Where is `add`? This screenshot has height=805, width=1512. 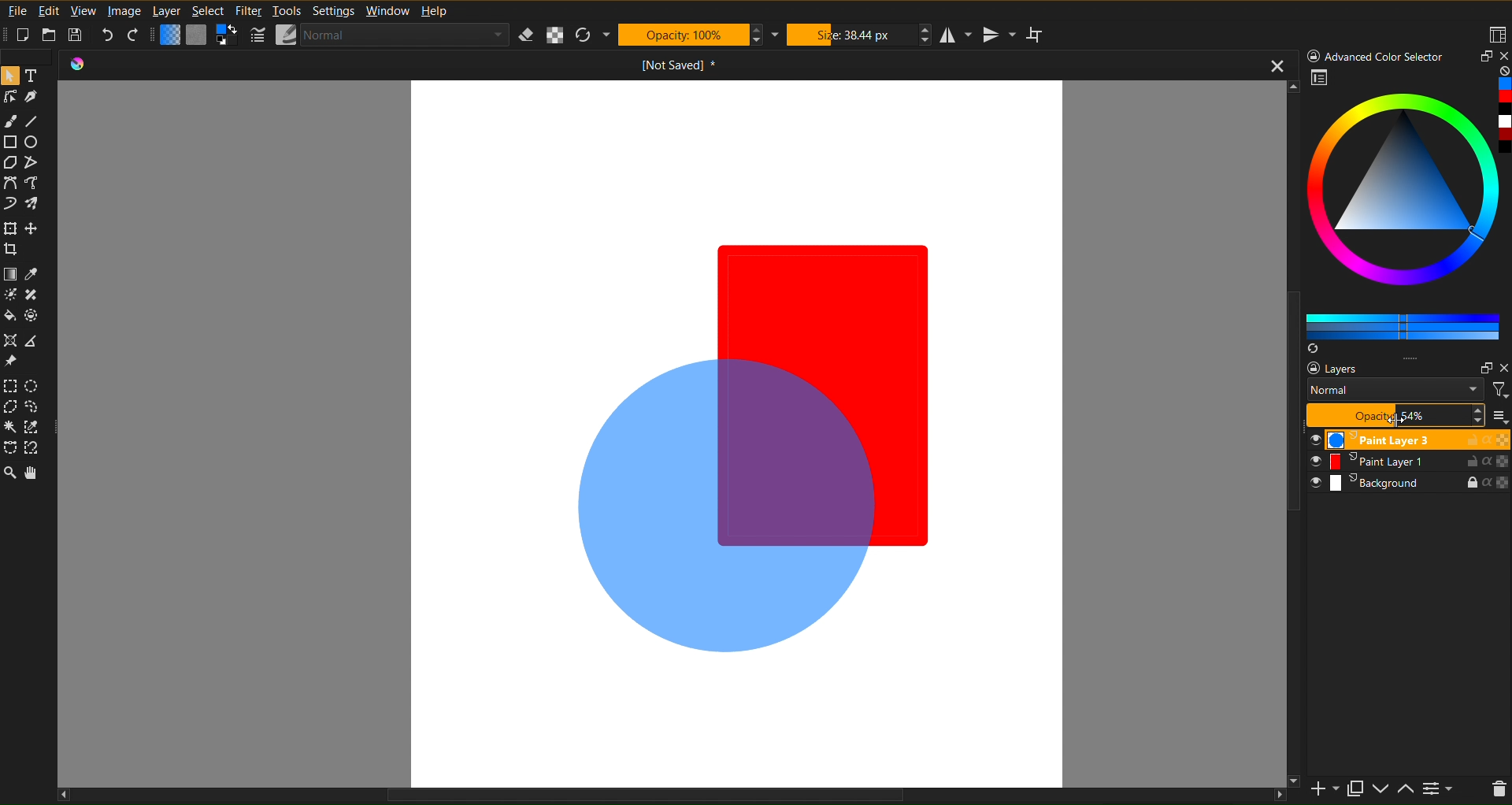 add is located at coordinates (1325, 790).